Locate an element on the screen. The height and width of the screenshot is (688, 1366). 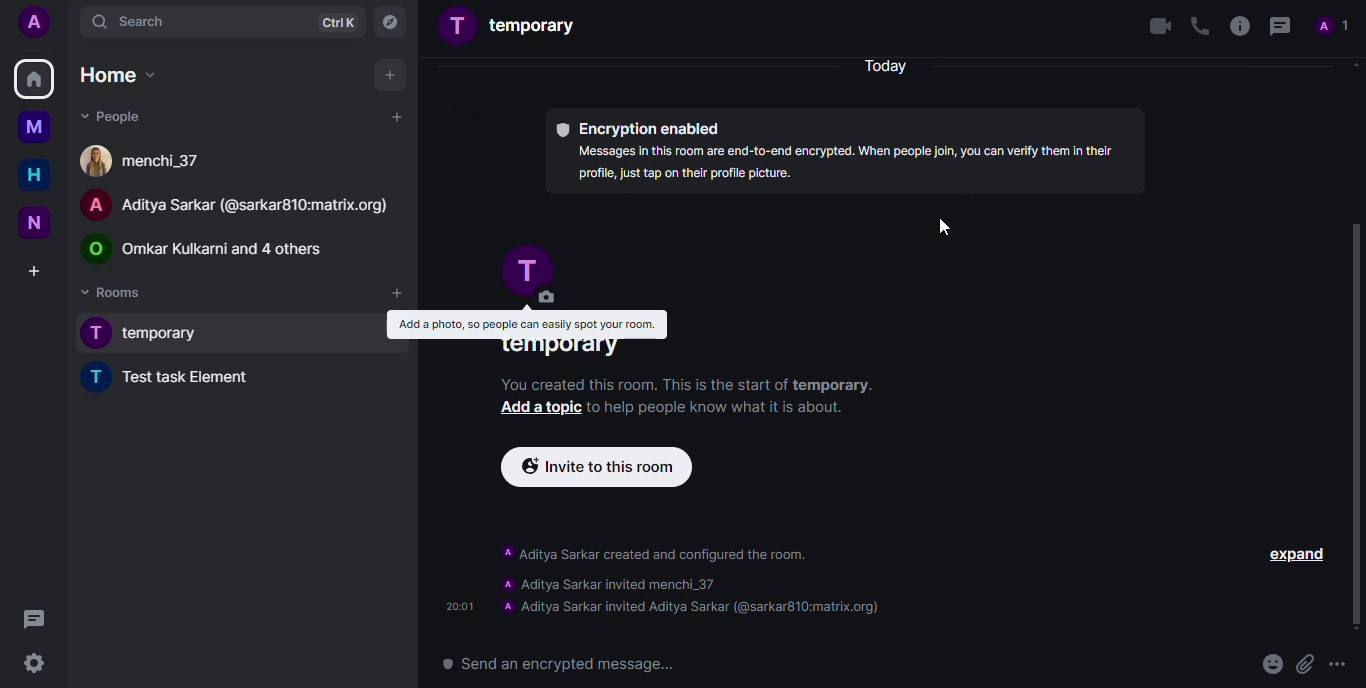
myspace is located at coordinates (34, 127).